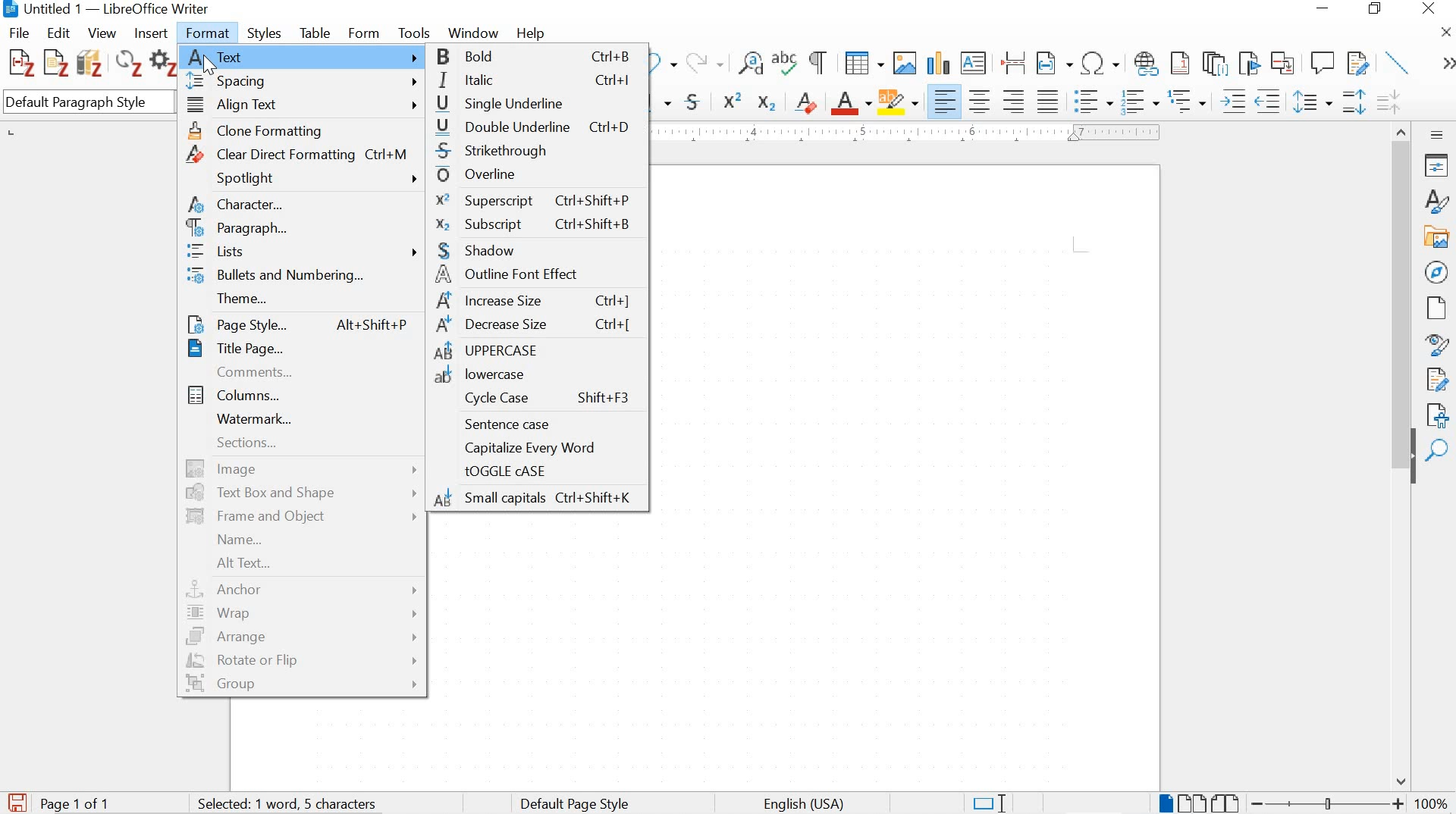 The width and height of the screenshot is (1456, 814). I want to click on overline, so click(535, 174).